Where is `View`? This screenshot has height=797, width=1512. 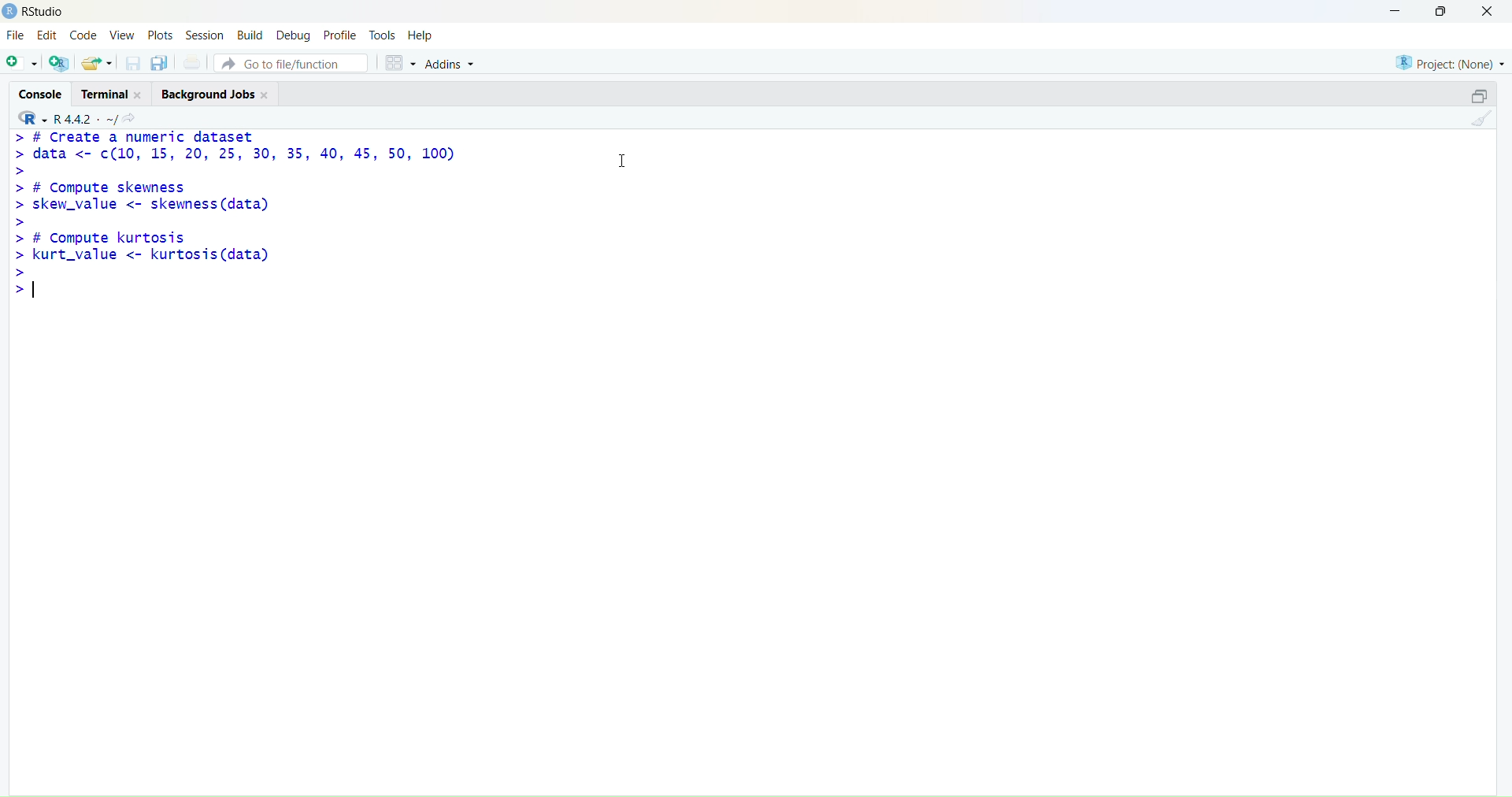
View is located at coordinates (120, 36).